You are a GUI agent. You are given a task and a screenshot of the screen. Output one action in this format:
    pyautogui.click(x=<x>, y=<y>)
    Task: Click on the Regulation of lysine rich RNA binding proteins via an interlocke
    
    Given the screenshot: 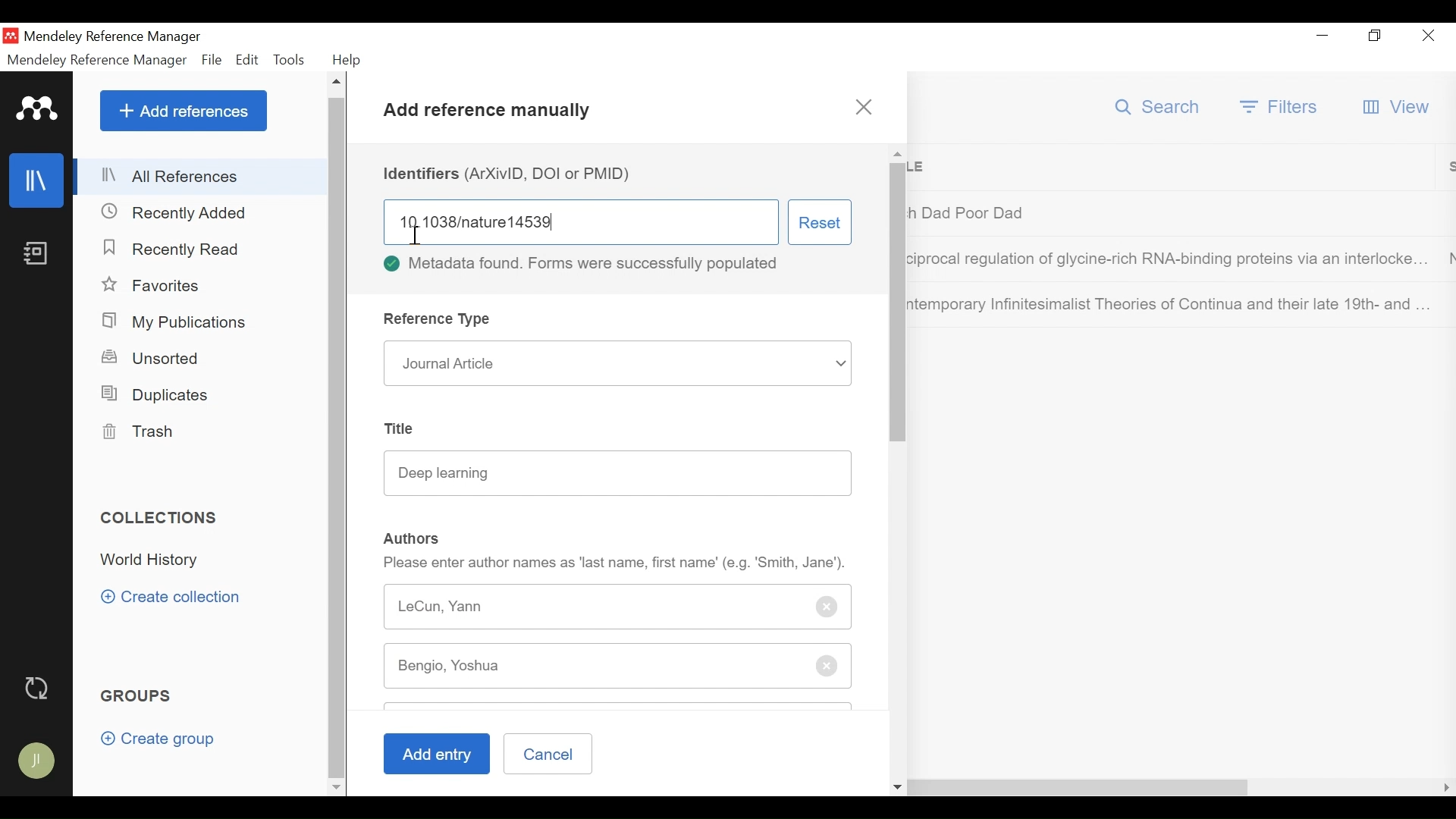 What is the action you would take?
    pyautogui.click(x=1171, y=262)
    